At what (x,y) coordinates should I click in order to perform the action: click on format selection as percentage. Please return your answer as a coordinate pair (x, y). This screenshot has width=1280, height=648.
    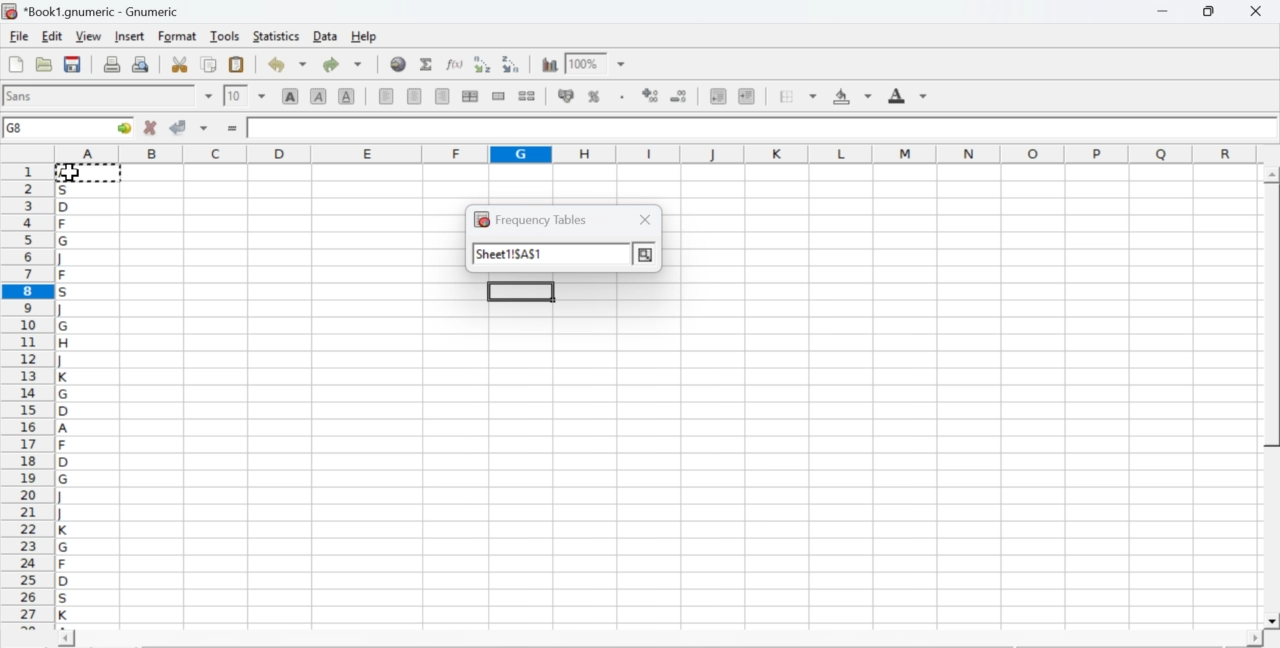
    Looking at the image, I should click on (592, 96).